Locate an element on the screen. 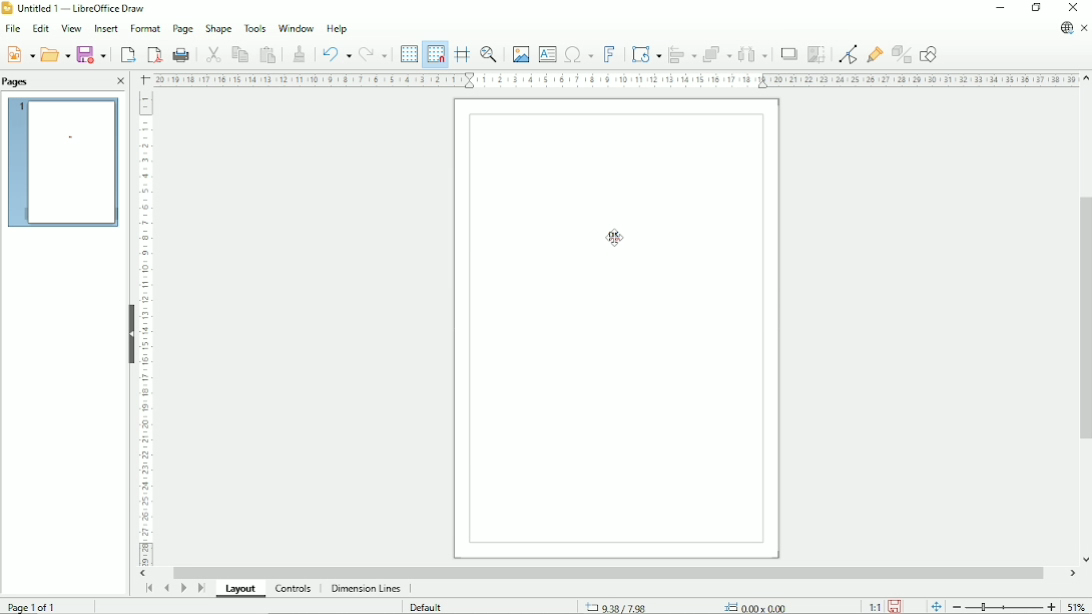 This screenshot has width=1092, height=614. Save is located at coordinates (93, 54).